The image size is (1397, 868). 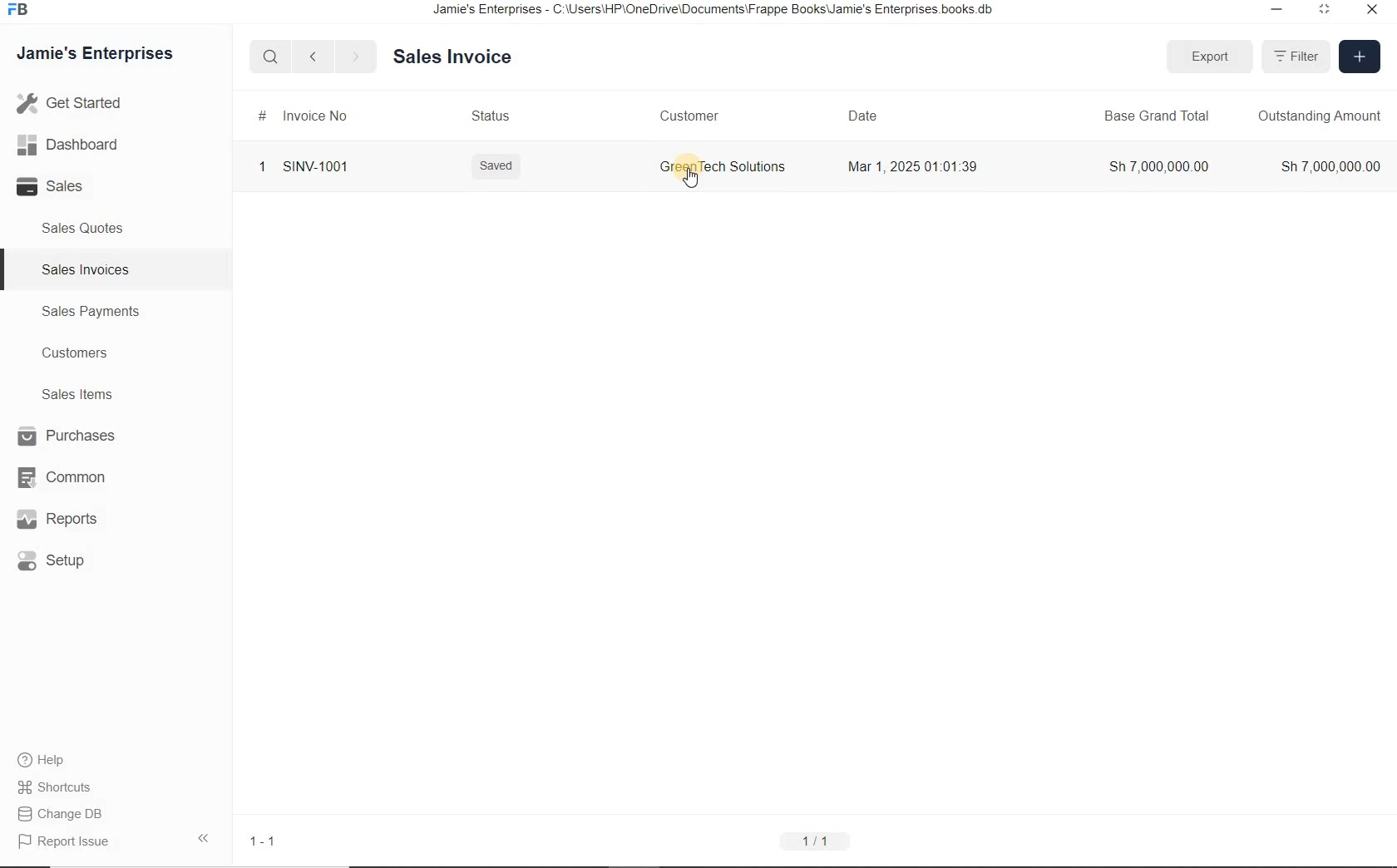 I want to click on Status, so click(x=491, y=117).